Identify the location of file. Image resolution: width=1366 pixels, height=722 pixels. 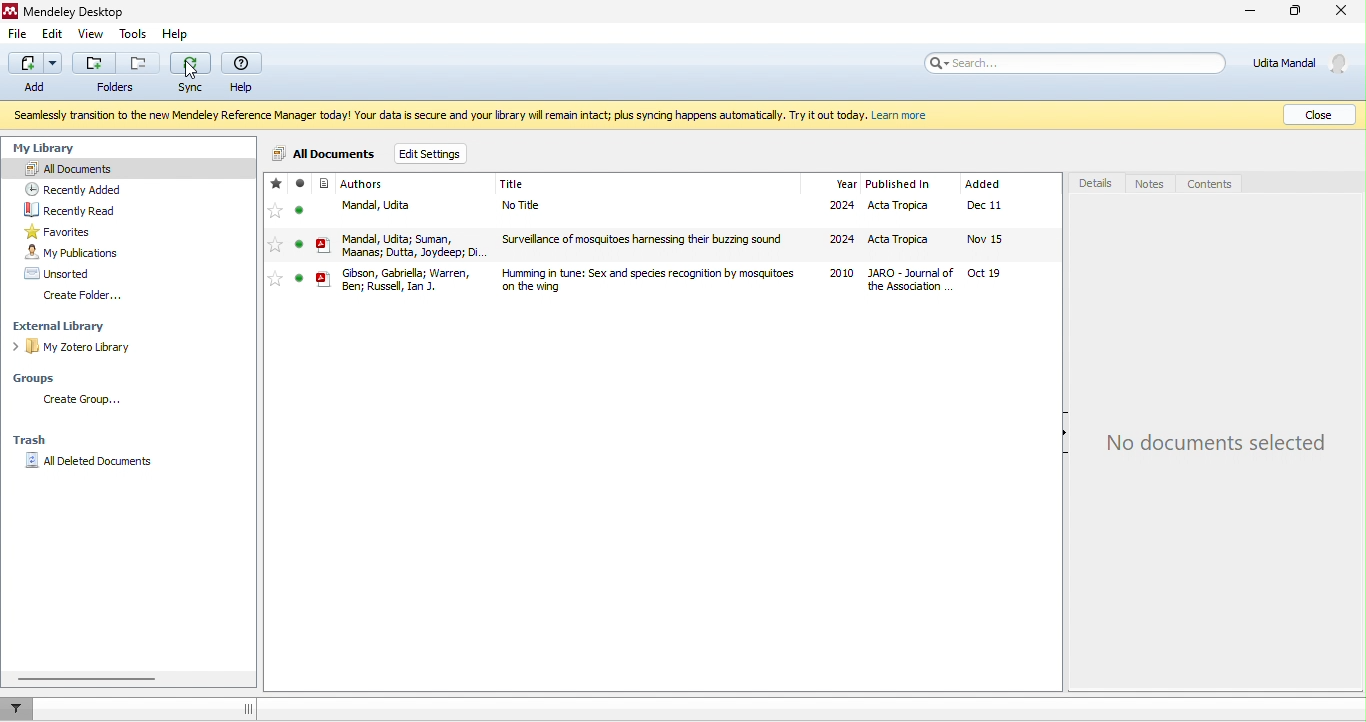
(653, 210).